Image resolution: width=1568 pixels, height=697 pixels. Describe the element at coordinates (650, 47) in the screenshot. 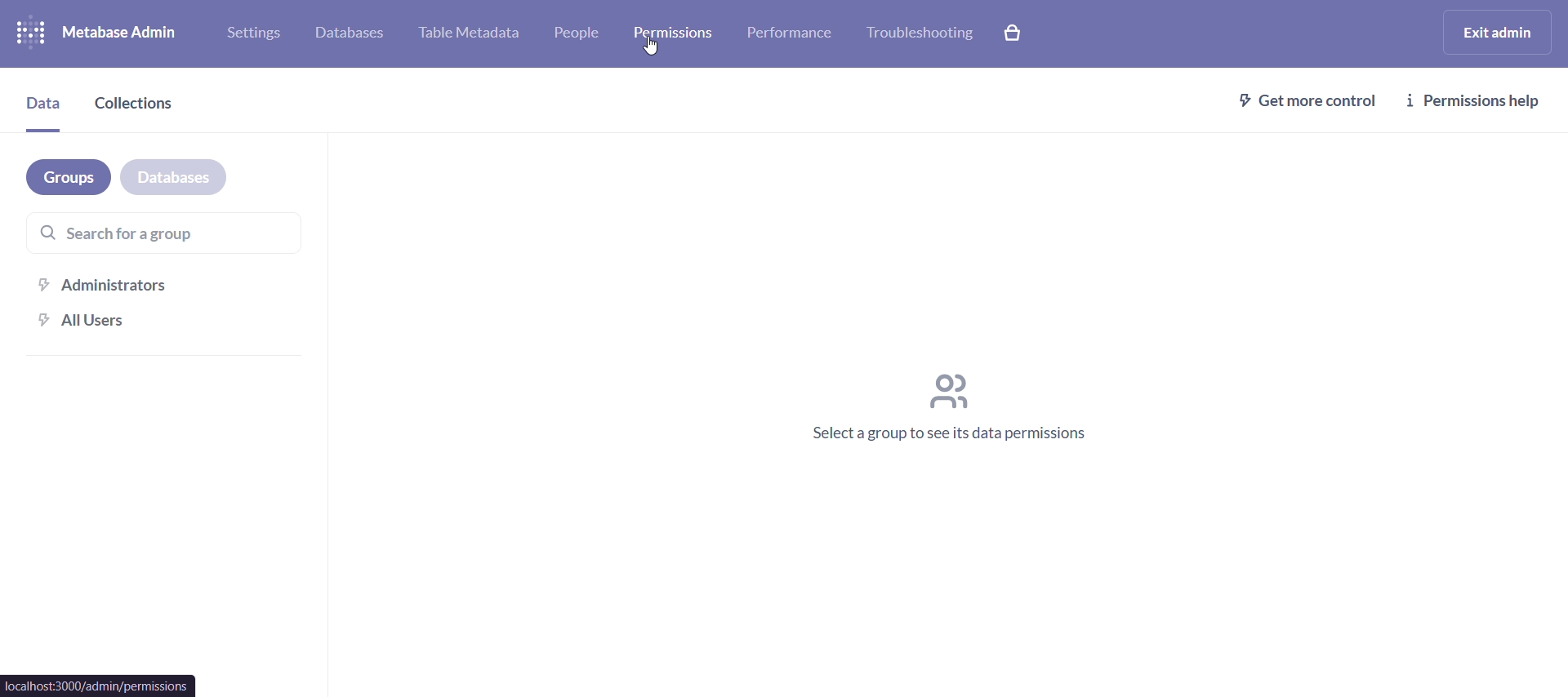

I see `cursor` at that location.